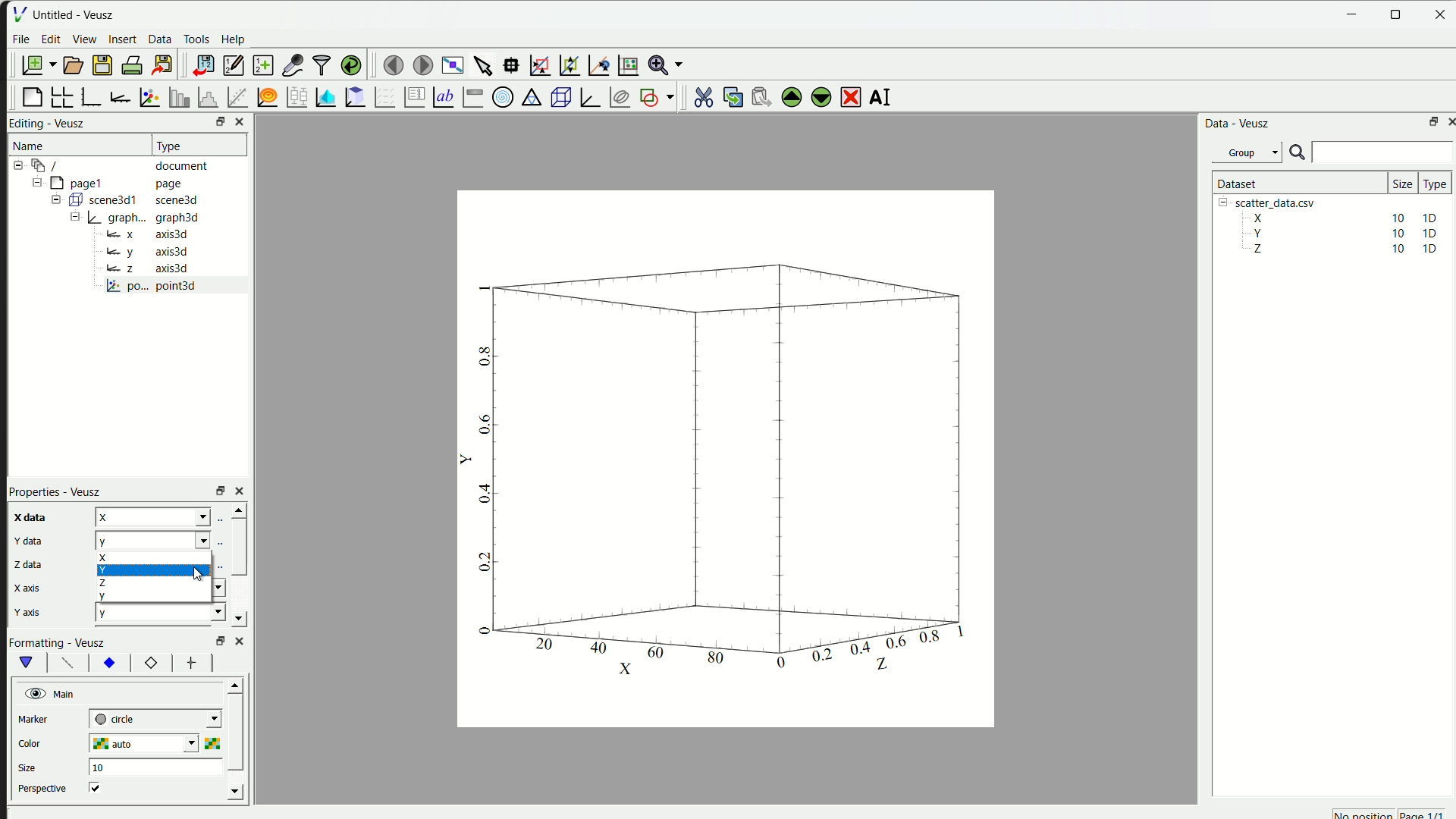  Describe the element at coordinates (146, 663) in the screenshot. I see `12` at that location.